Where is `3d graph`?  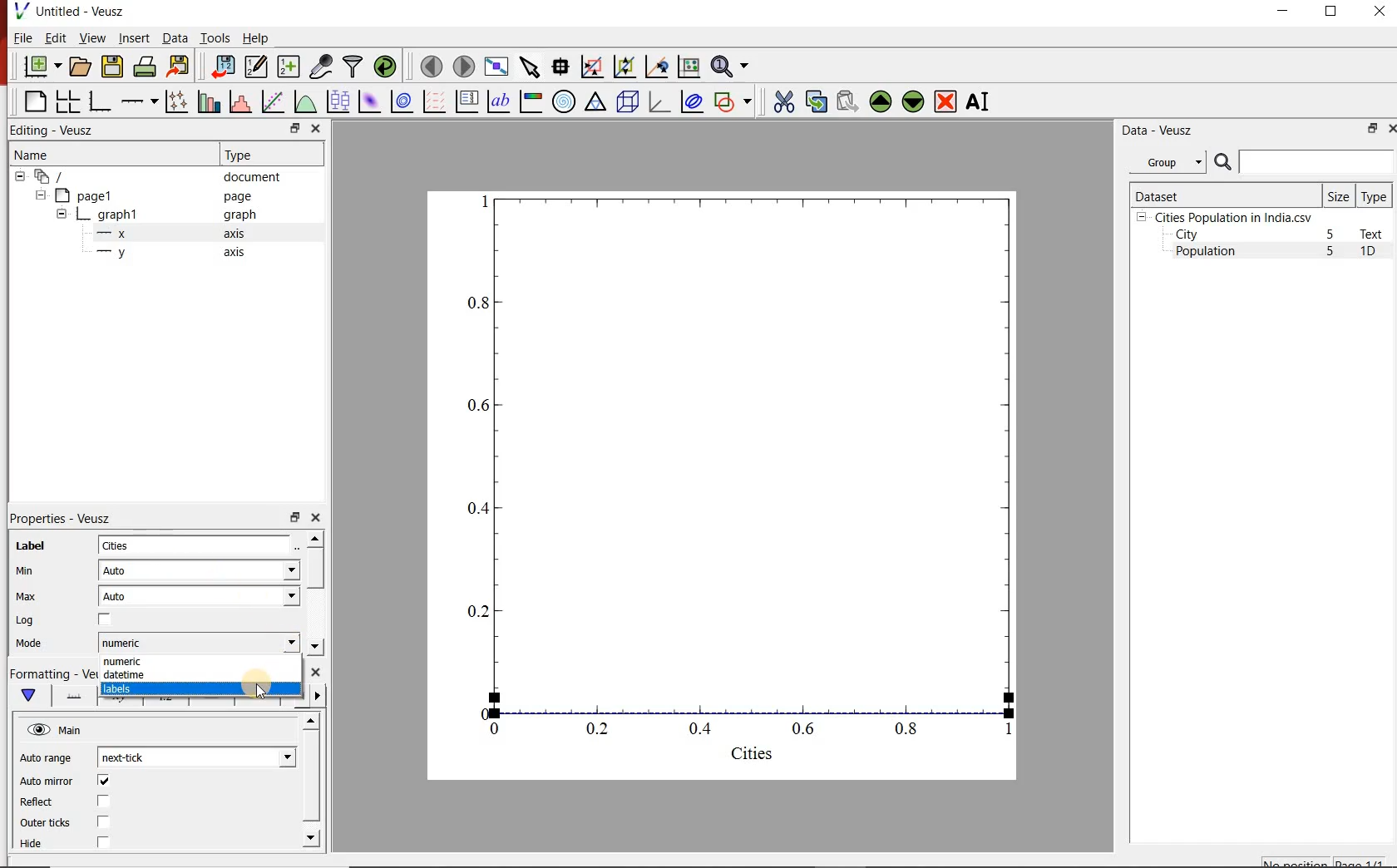
3d graph is located at coordinates (658, 101).